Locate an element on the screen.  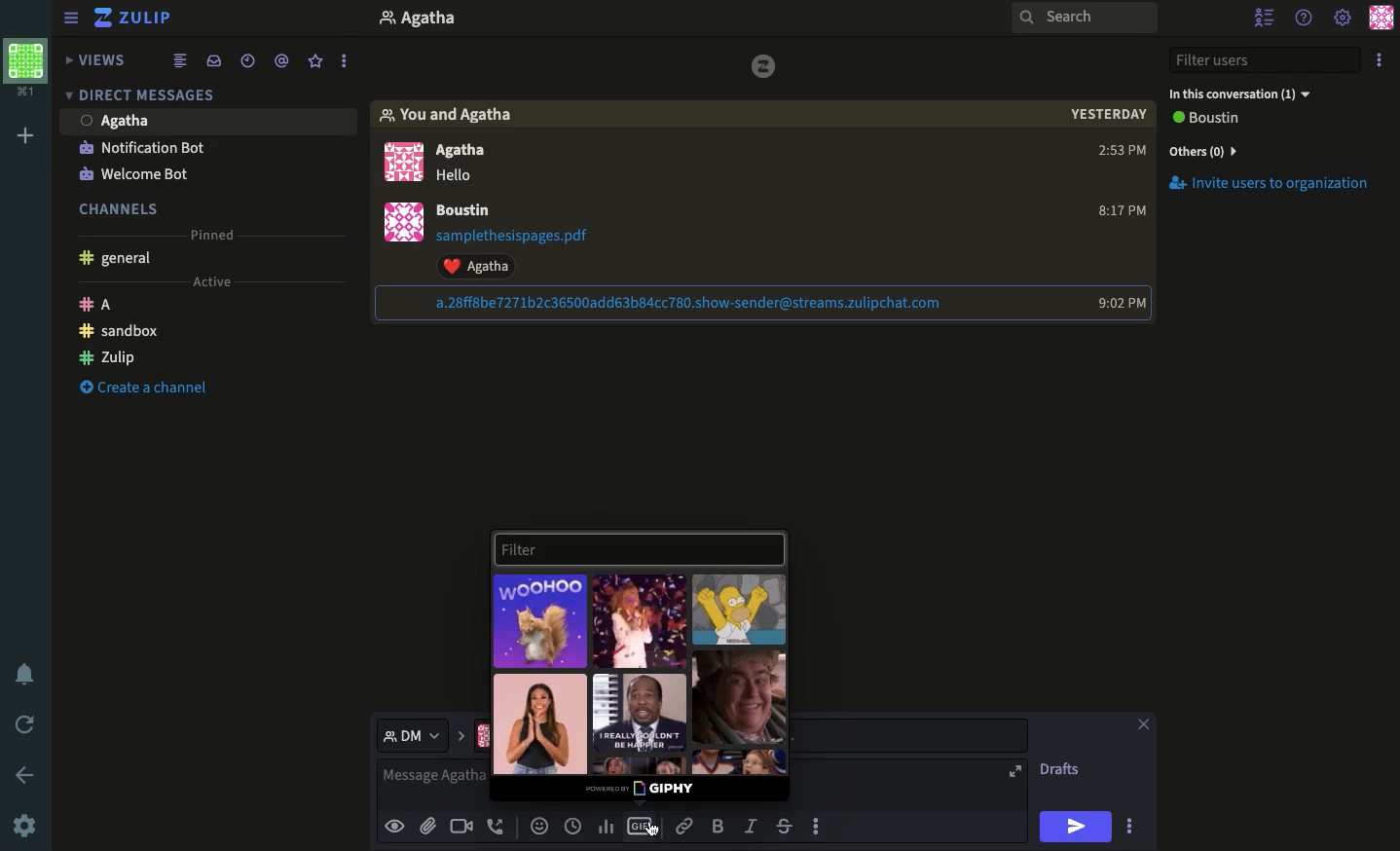
time is located at coordinates (1120, 212).